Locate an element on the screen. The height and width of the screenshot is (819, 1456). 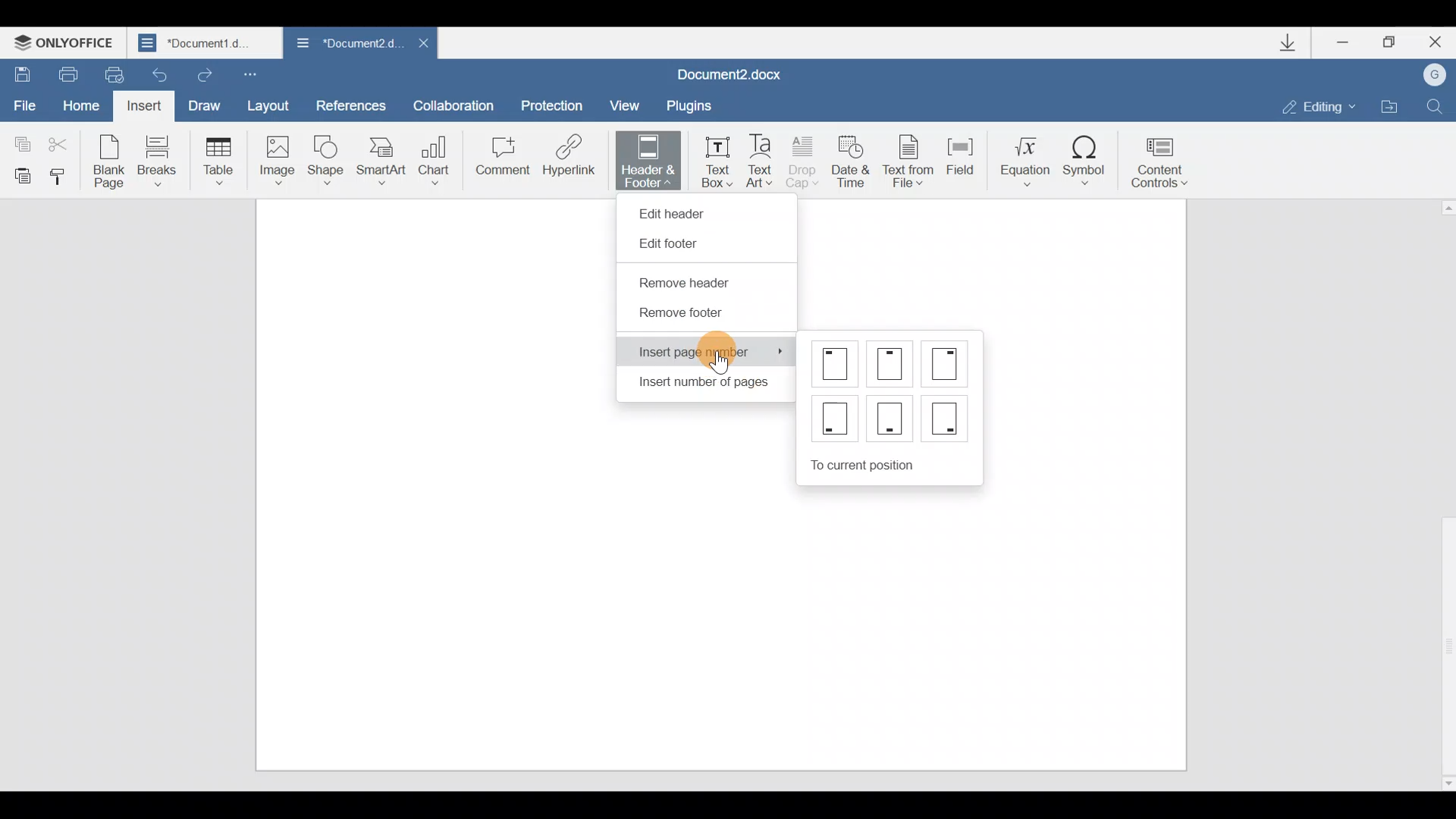
Layout is located at coordinates (273, 105).